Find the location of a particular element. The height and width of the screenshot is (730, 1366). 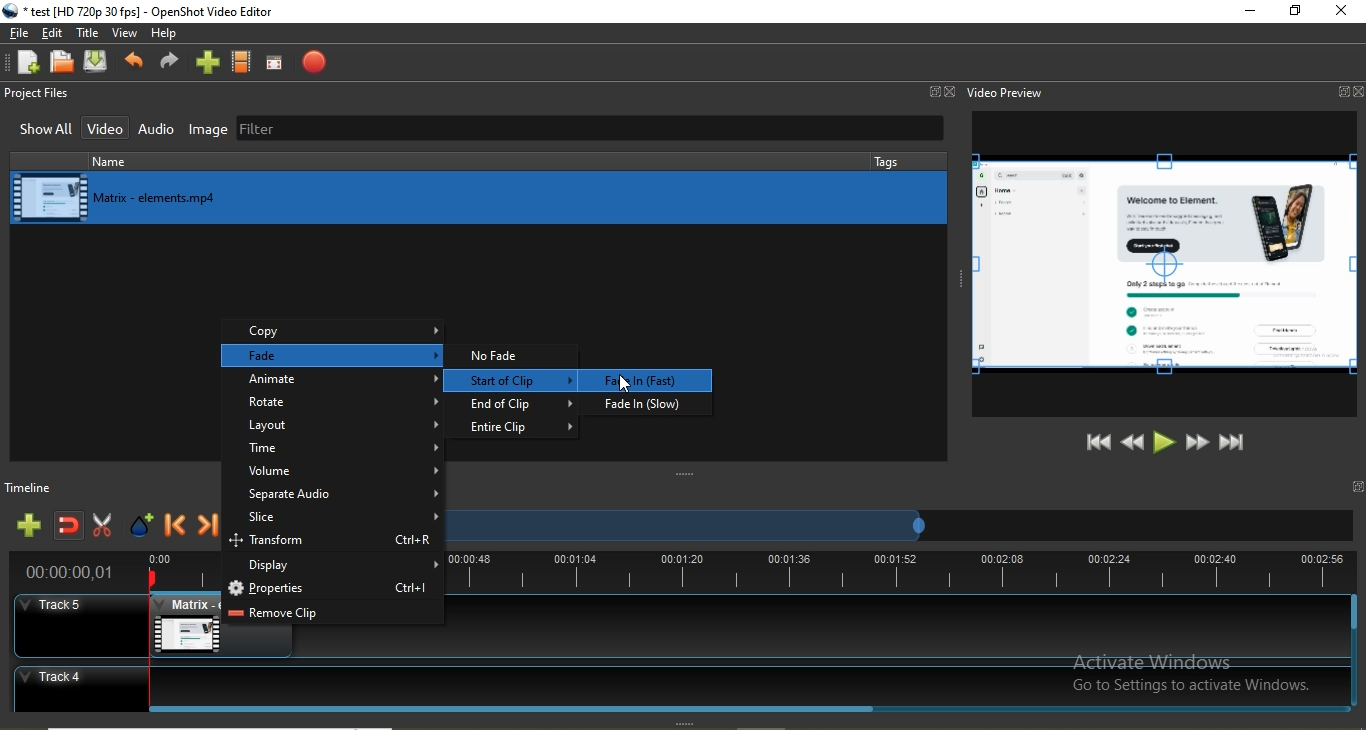

Export video is located at coordinates (310, 62).